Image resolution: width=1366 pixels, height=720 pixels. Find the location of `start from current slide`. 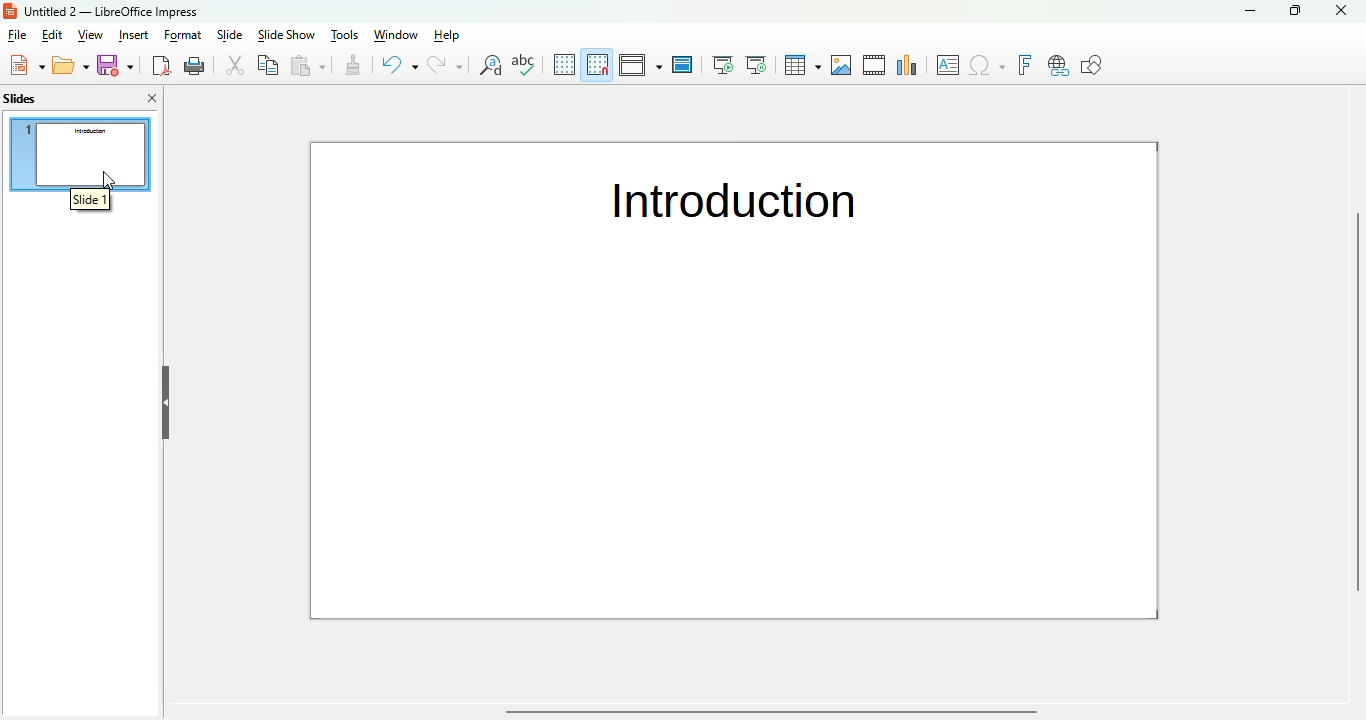

start from current slide is located at coordinates (756, 65).